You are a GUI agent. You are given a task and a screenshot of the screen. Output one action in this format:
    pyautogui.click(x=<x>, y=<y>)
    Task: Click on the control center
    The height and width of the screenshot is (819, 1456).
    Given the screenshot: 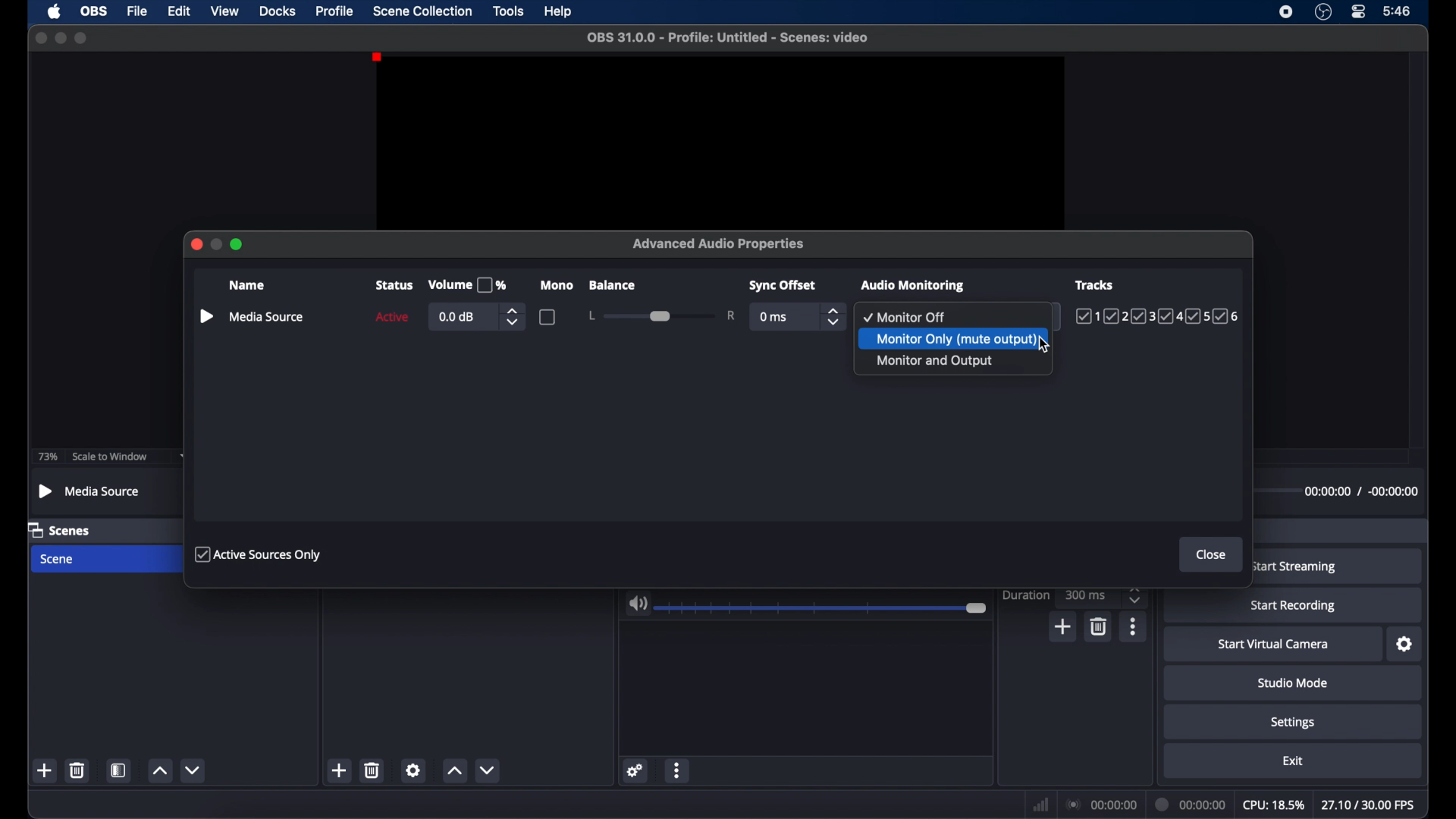 What is the action you would take?
    pyautogui.click(x=1359, y=12)
    